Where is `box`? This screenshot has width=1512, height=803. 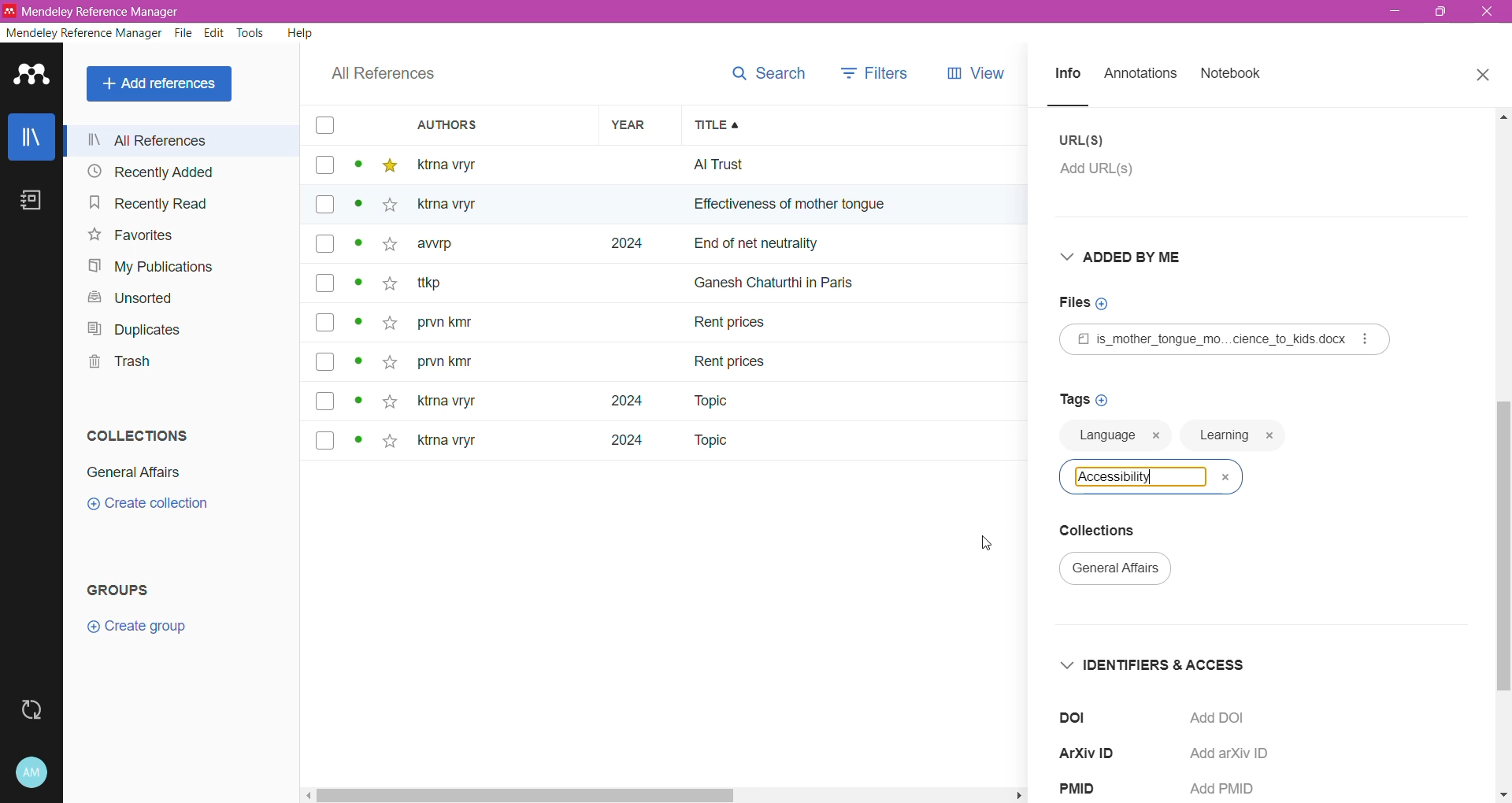
box is located at coordinates (324, 205).